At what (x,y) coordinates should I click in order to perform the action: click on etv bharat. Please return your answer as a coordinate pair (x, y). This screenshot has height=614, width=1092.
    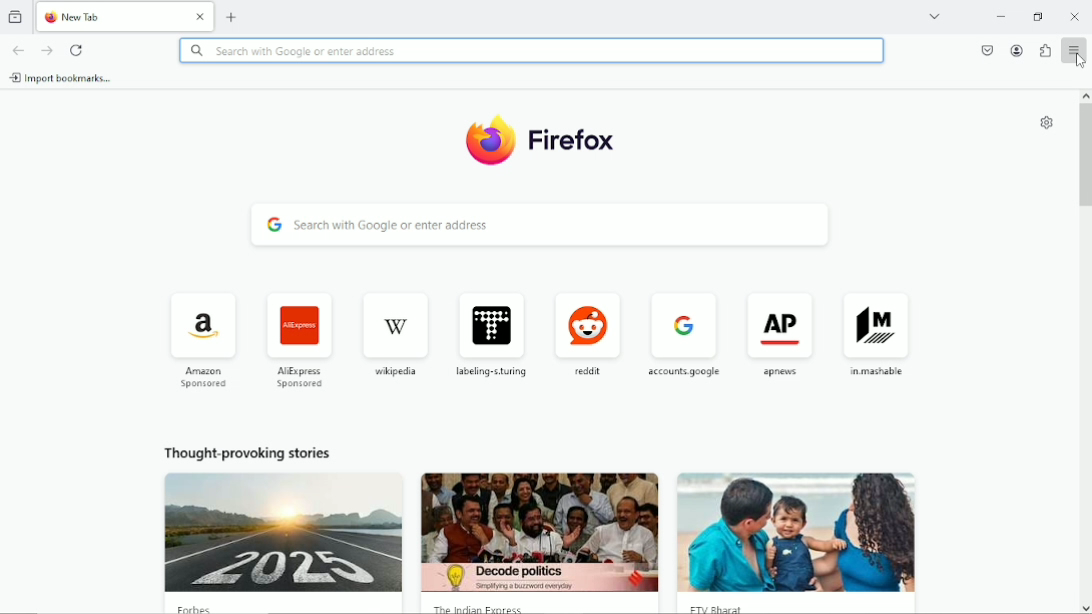
    Looking at the image, I should click on (729, 607).